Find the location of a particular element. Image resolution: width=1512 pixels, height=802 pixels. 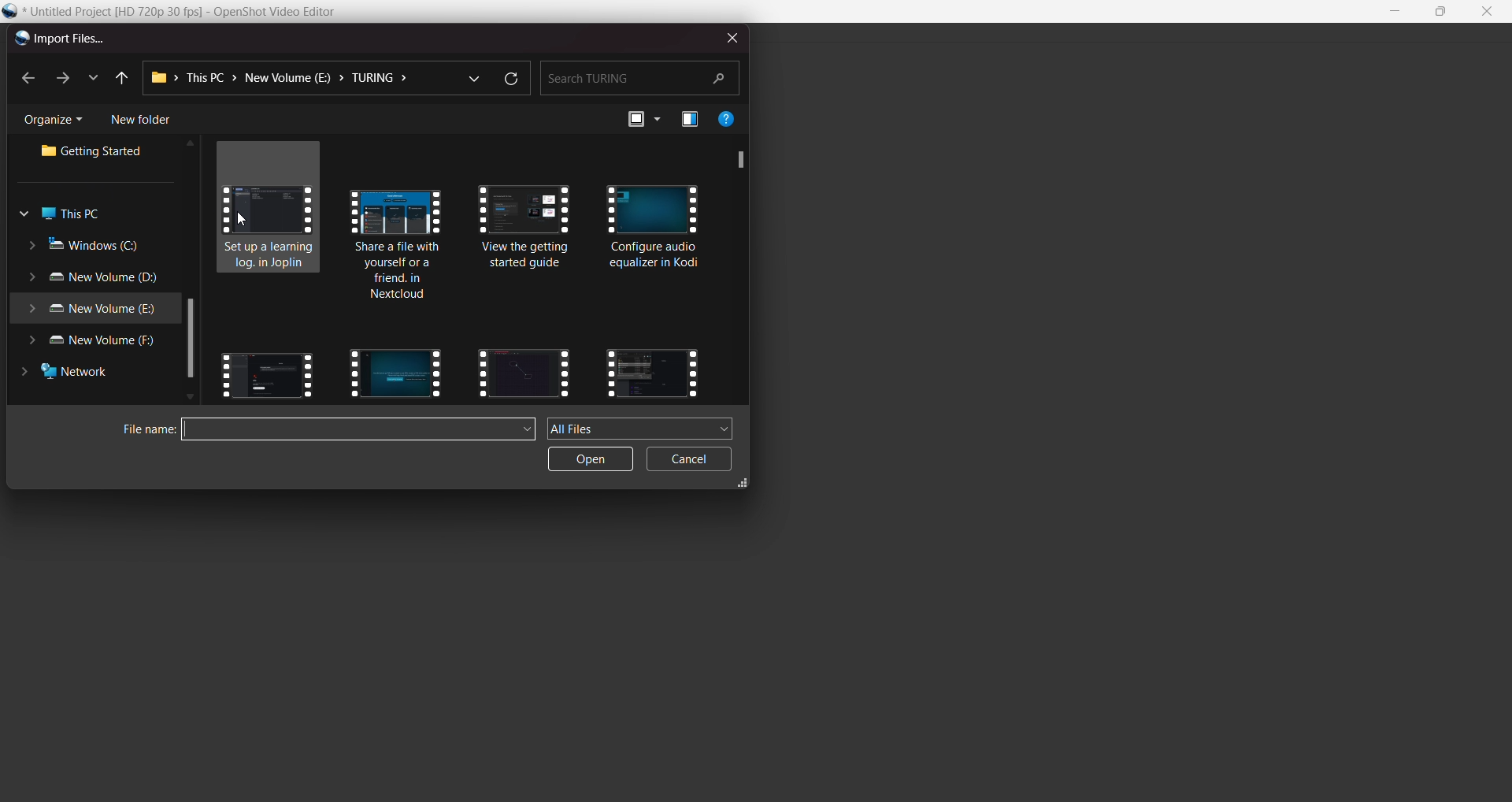

new folder is located at coordinates (141, 120).